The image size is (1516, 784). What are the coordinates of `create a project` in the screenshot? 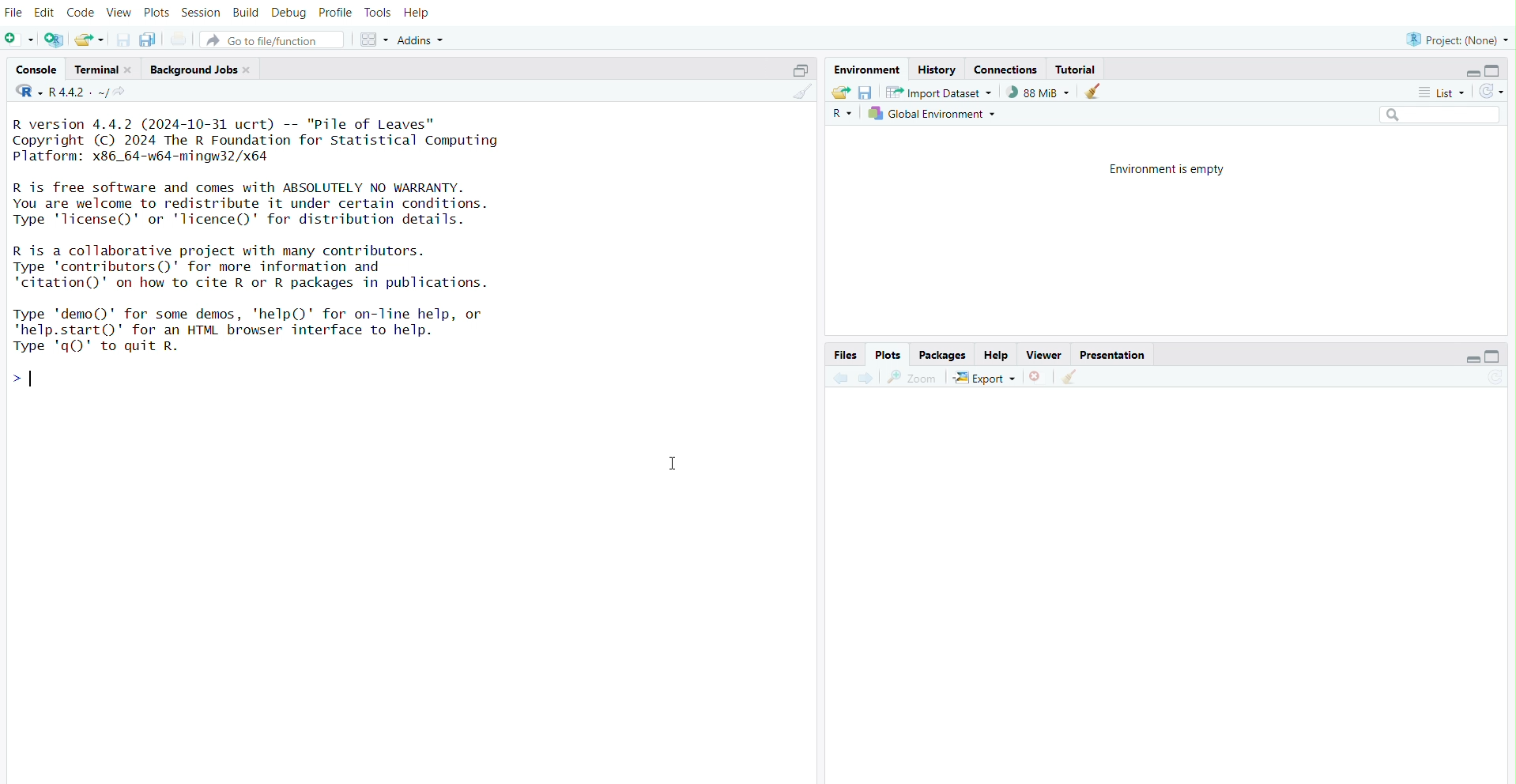 It's located at (54, 40).